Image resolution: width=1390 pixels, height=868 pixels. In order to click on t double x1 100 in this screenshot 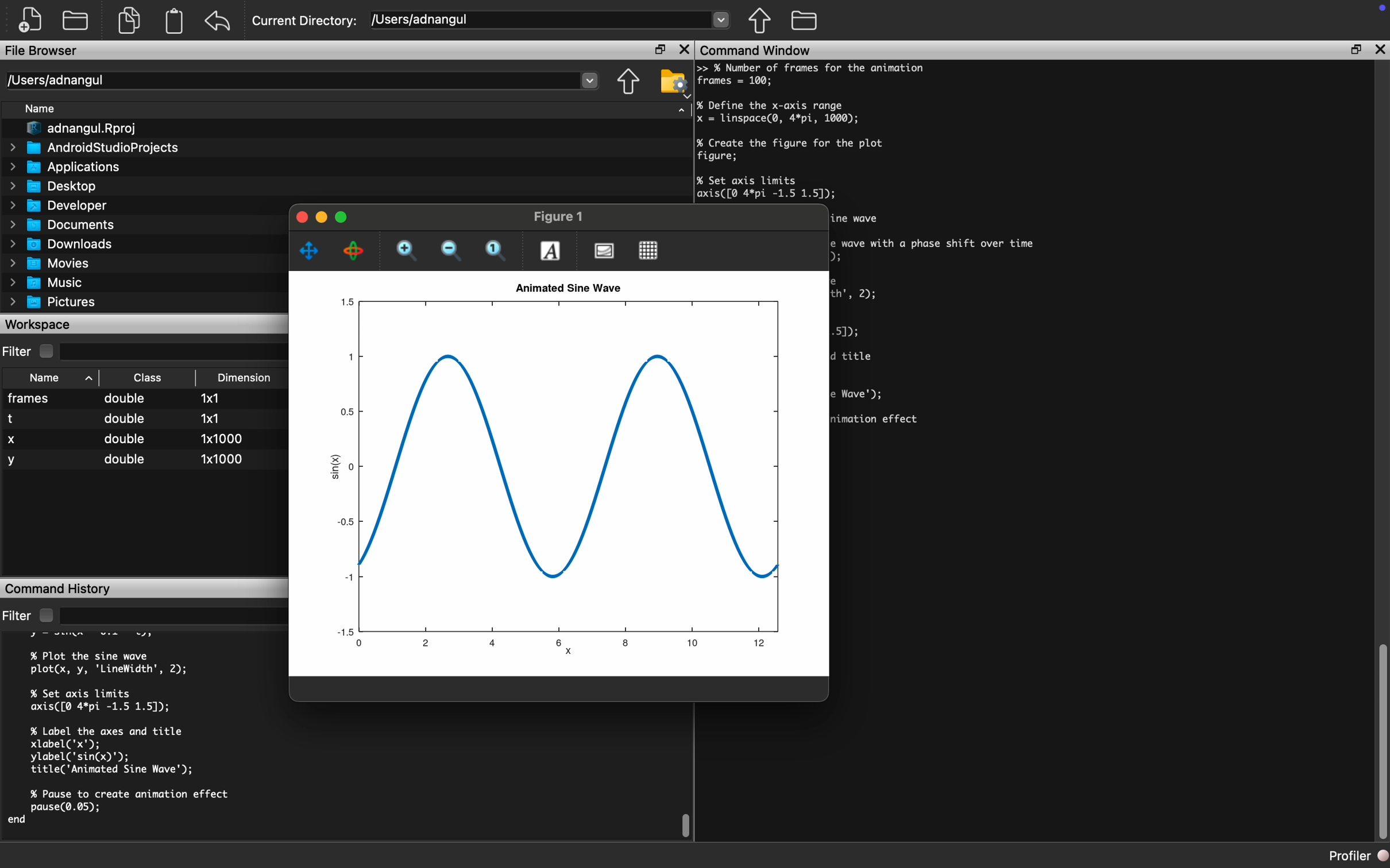, I will do `click(136, 418)`.